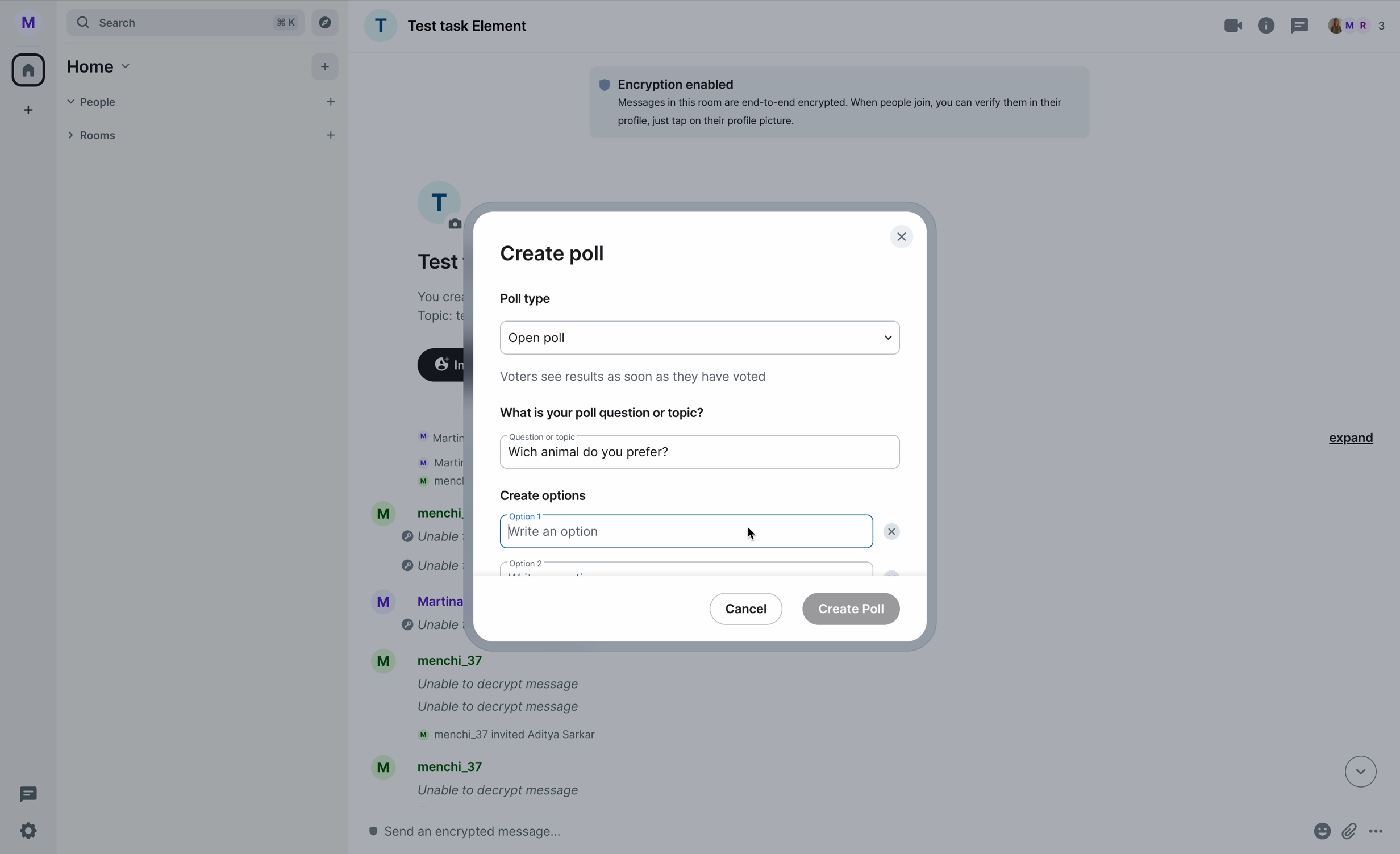  Describe the element at coordinates (894, 532) in the screenshot. I see `delete` at that location.